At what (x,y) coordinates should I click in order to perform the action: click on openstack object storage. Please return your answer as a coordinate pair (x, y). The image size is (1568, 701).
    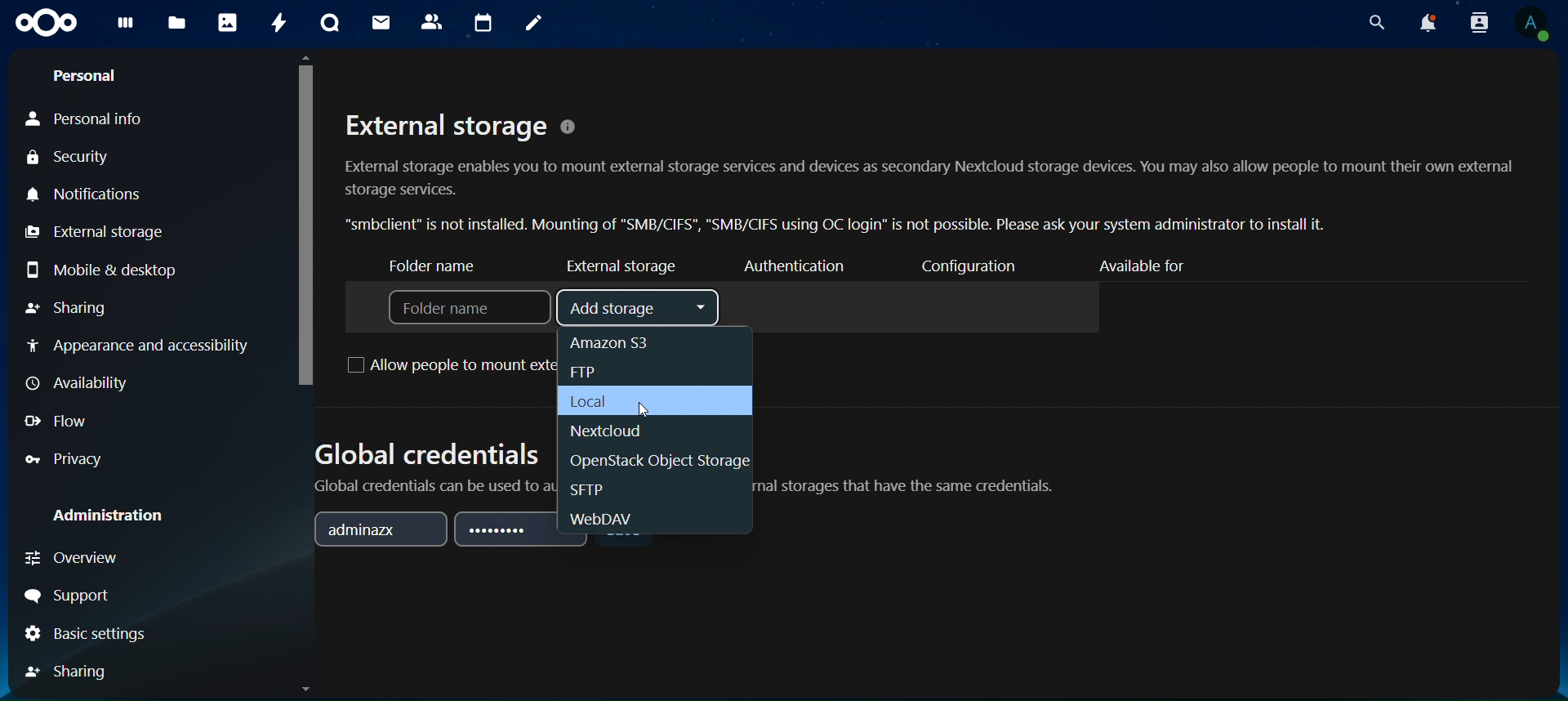
    Looking at the image, I should click on (661, 458).